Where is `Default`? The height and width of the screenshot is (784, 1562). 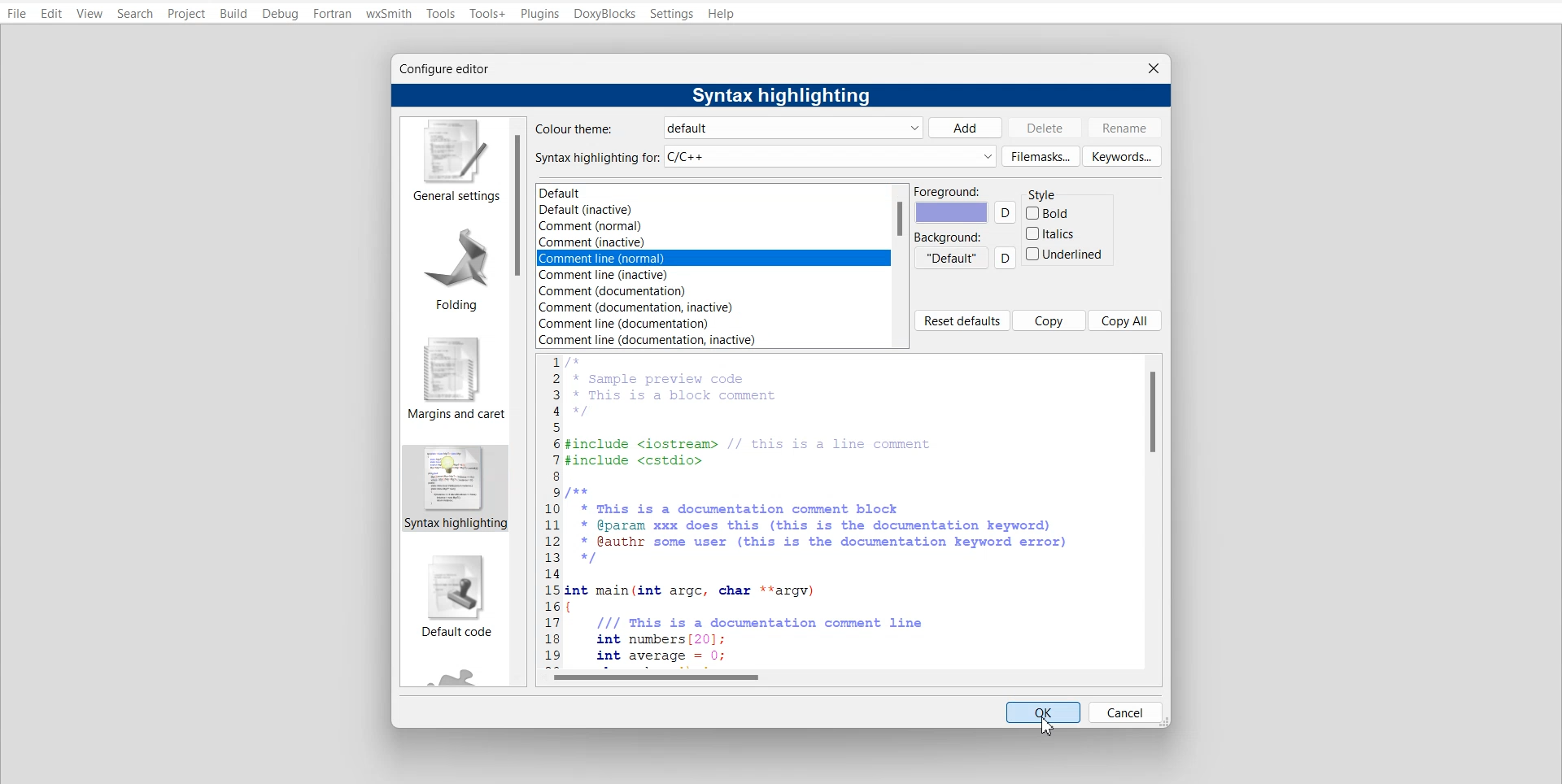
Default is located at coordinates (653, 193).